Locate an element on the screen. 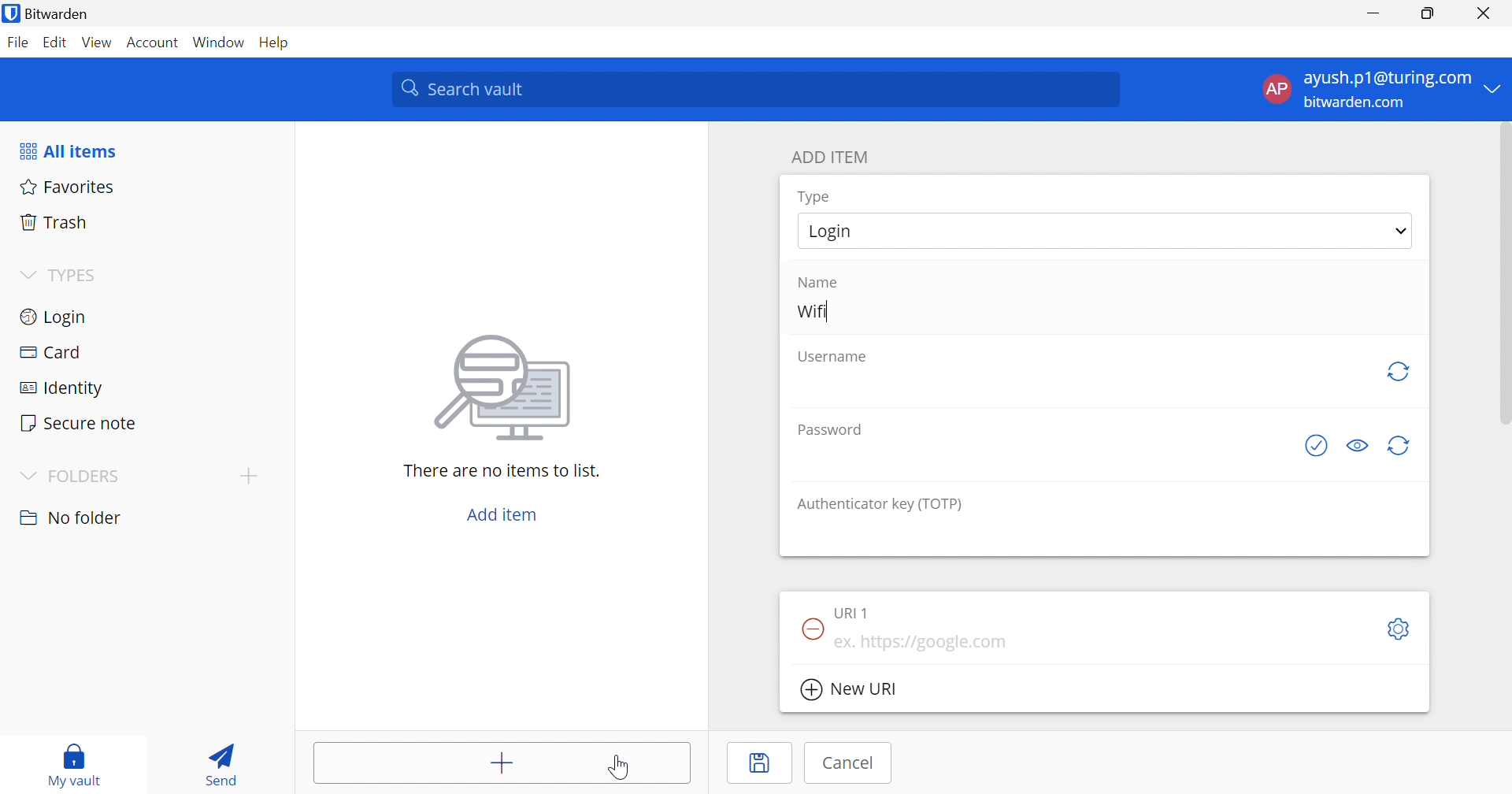 This screenshot has width=1512, height=794. Favorites is located at coordinates (65, 185).